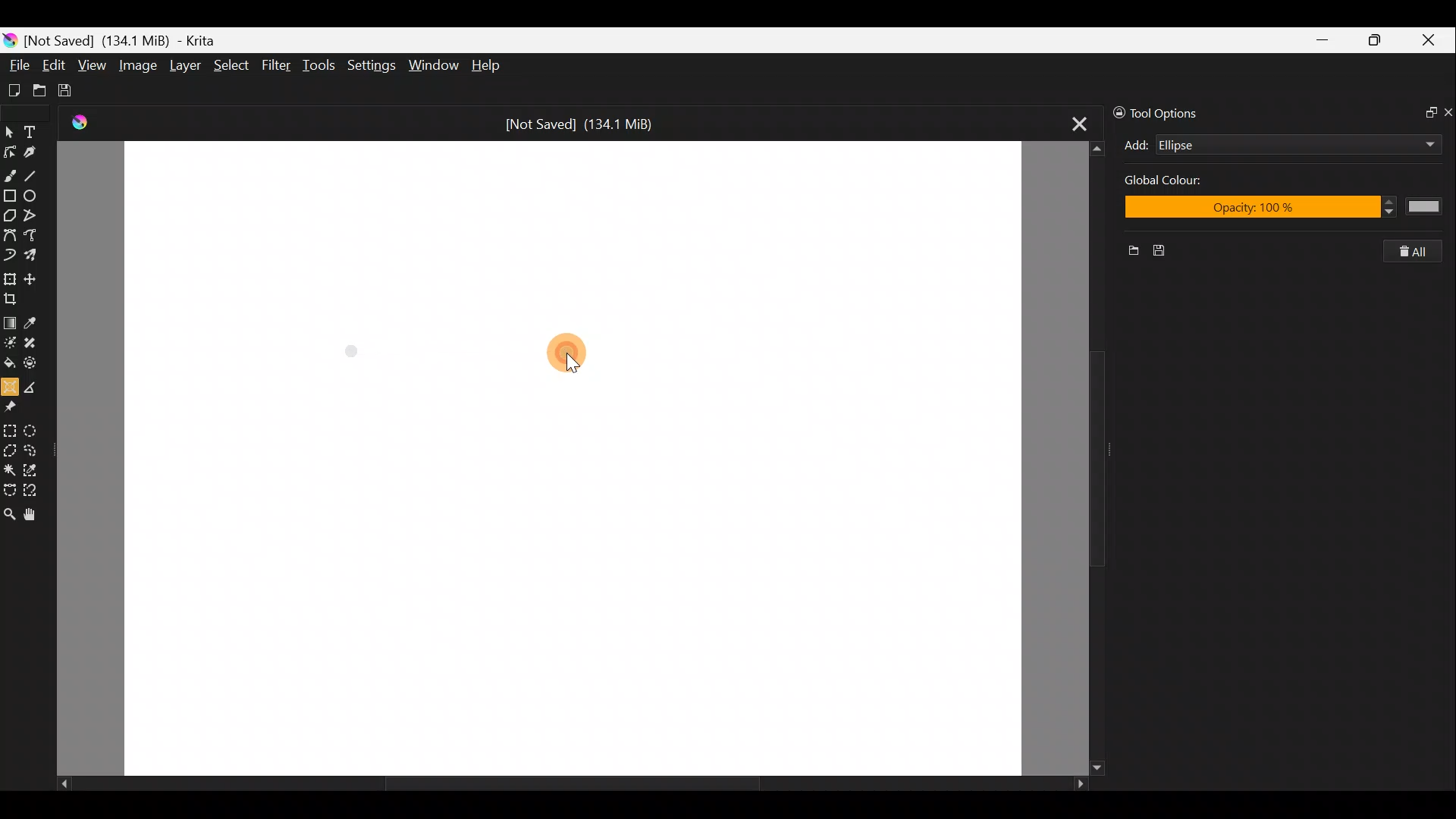 This screenshot has width=1456, height=819. What do you see at coordinates (1424, 114) in the screenshot?
I see `Float docker` at bounding box center [1424, 114].